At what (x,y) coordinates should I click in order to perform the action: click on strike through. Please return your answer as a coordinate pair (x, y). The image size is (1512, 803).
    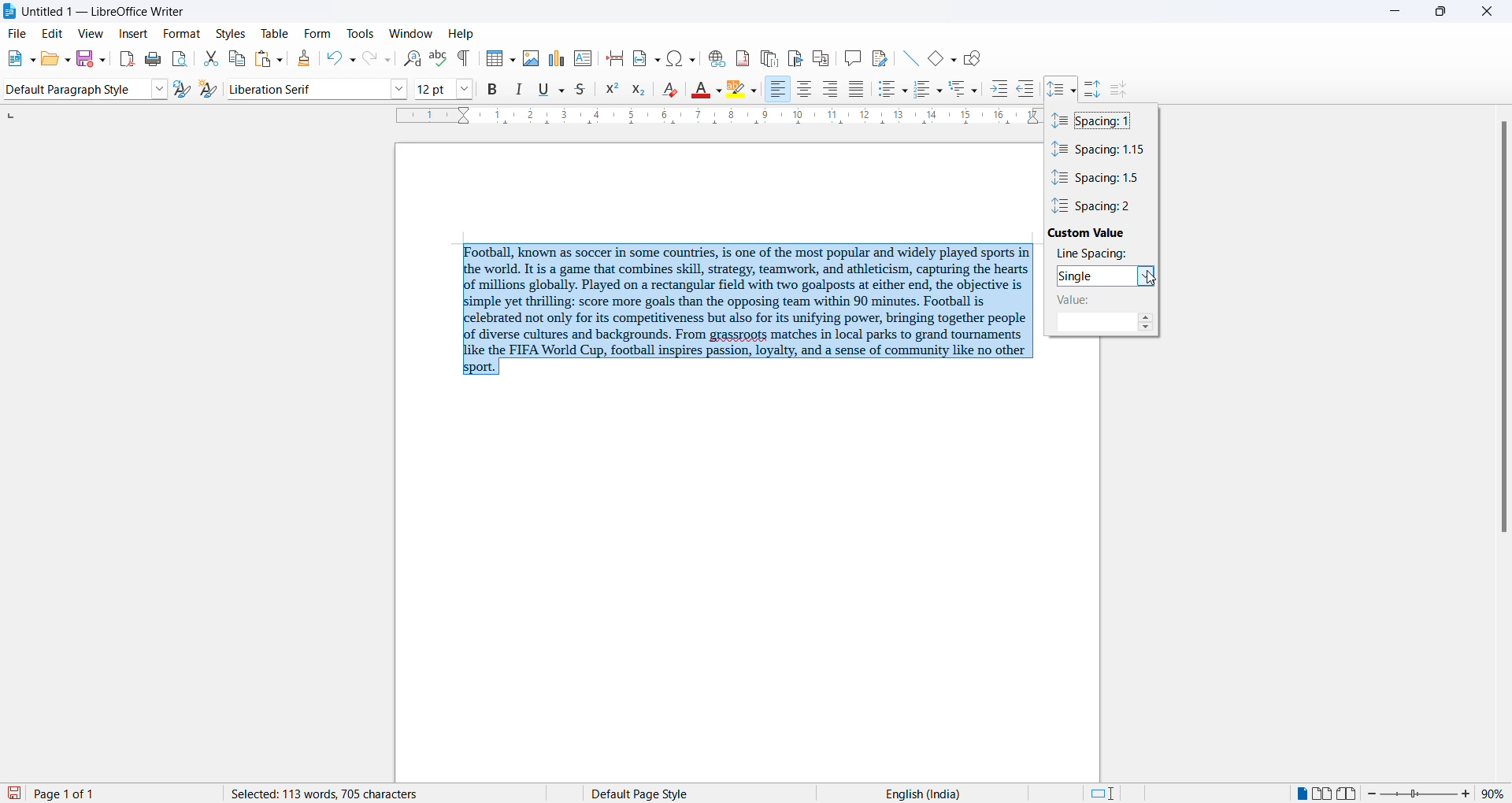
    Looking at the image, I should click on (580, 88).